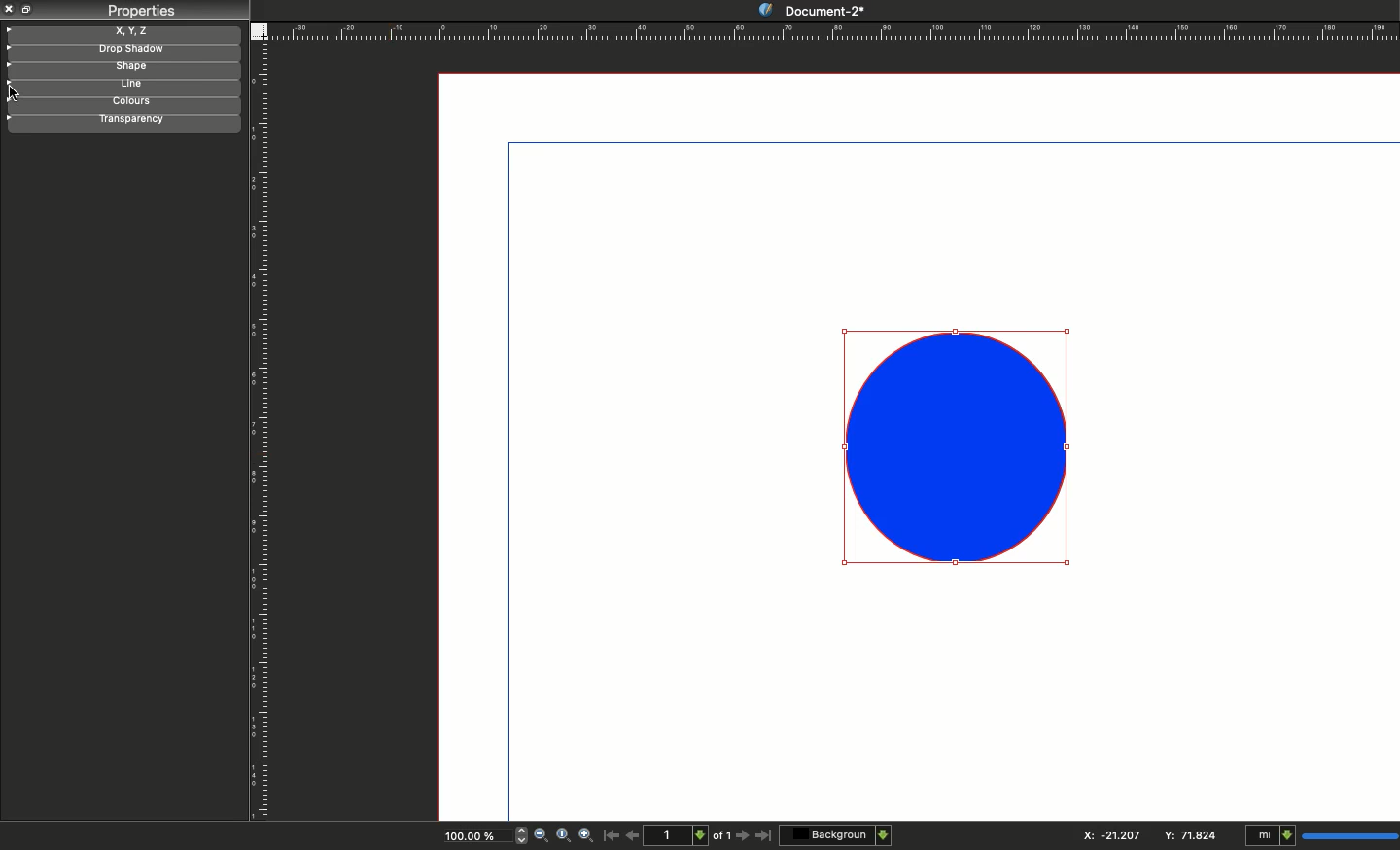 This screenshot has width=1400, height=850. What do you see at coordinates (633, 834) in the screenshot?
I see `Previous page` at bounding box center [633, 834].